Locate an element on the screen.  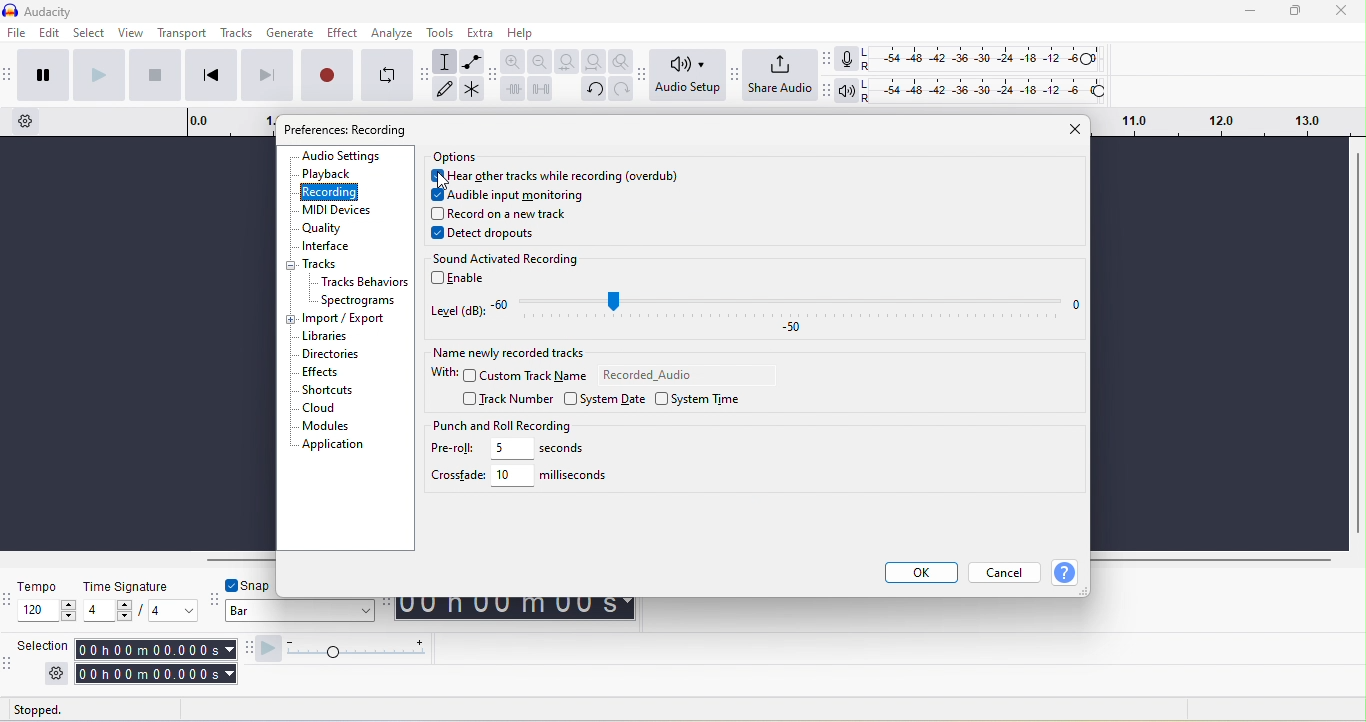
selection tool is located at coordinates (447, 60).